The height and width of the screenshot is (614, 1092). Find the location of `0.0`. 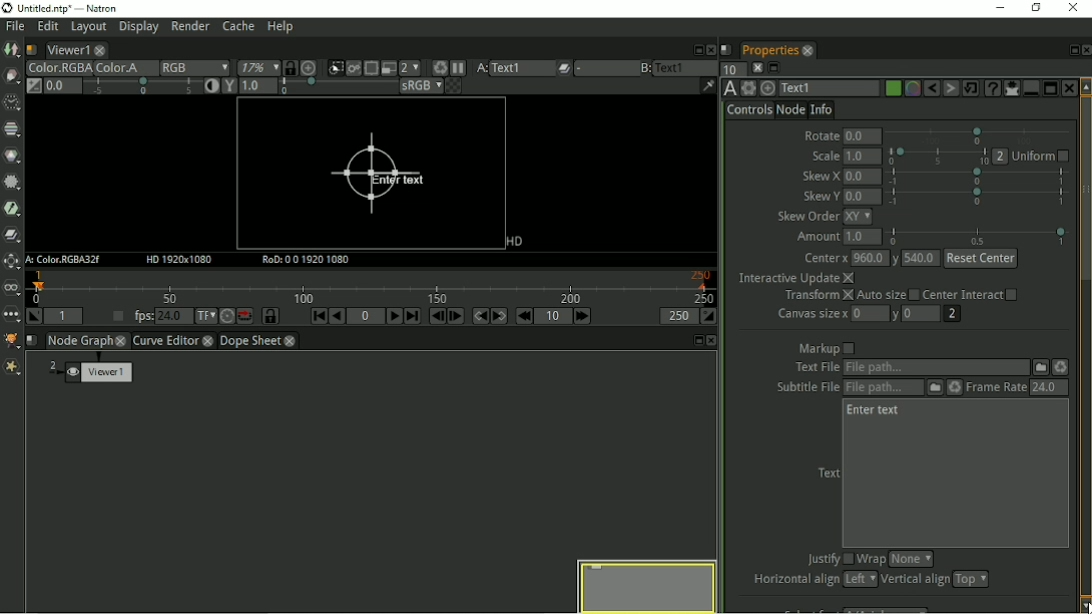

0.0 is located at coordinates (862, 136).